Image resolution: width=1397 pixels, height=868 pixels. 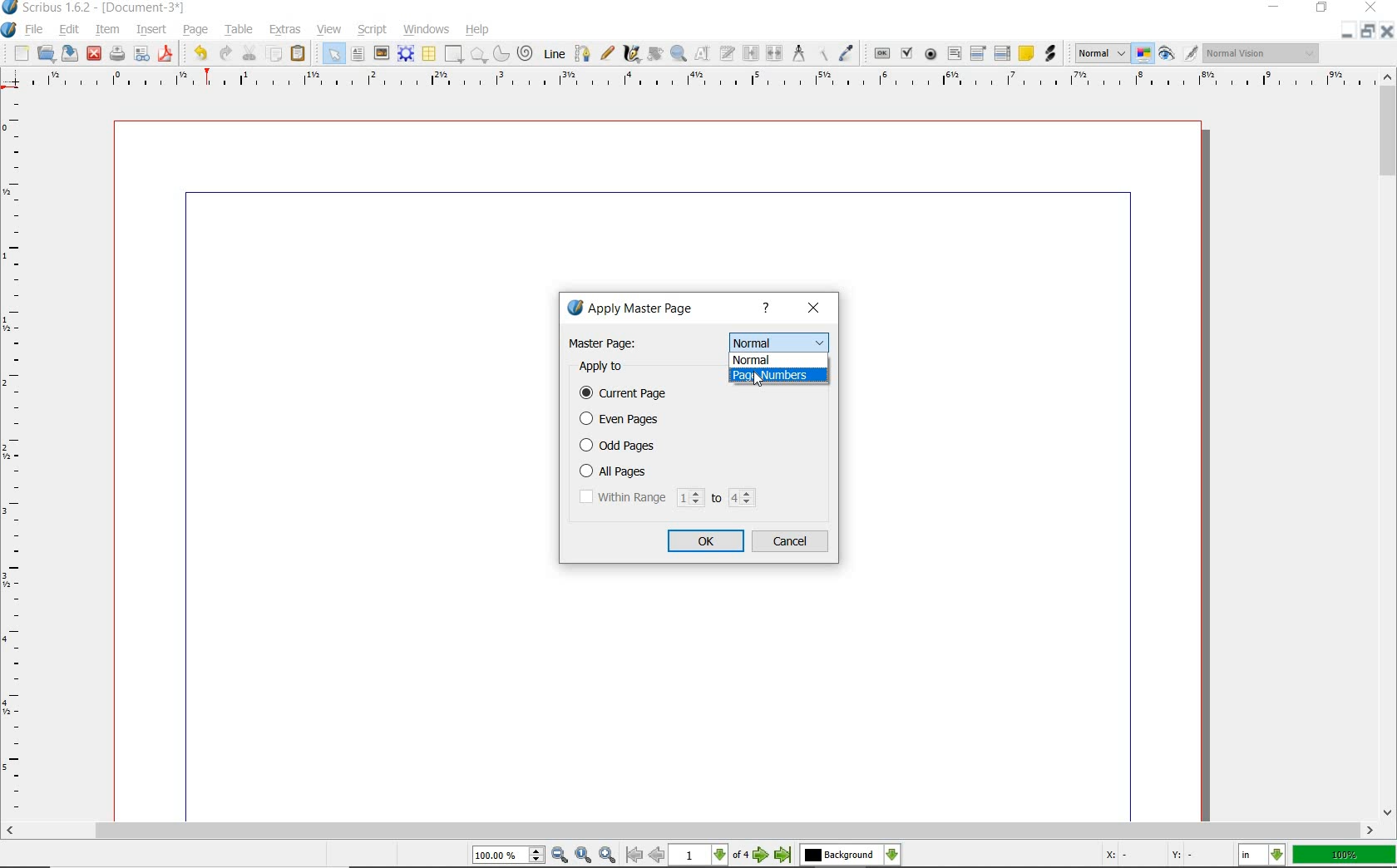 I want to click on render frame, so click(x=405, y=54).